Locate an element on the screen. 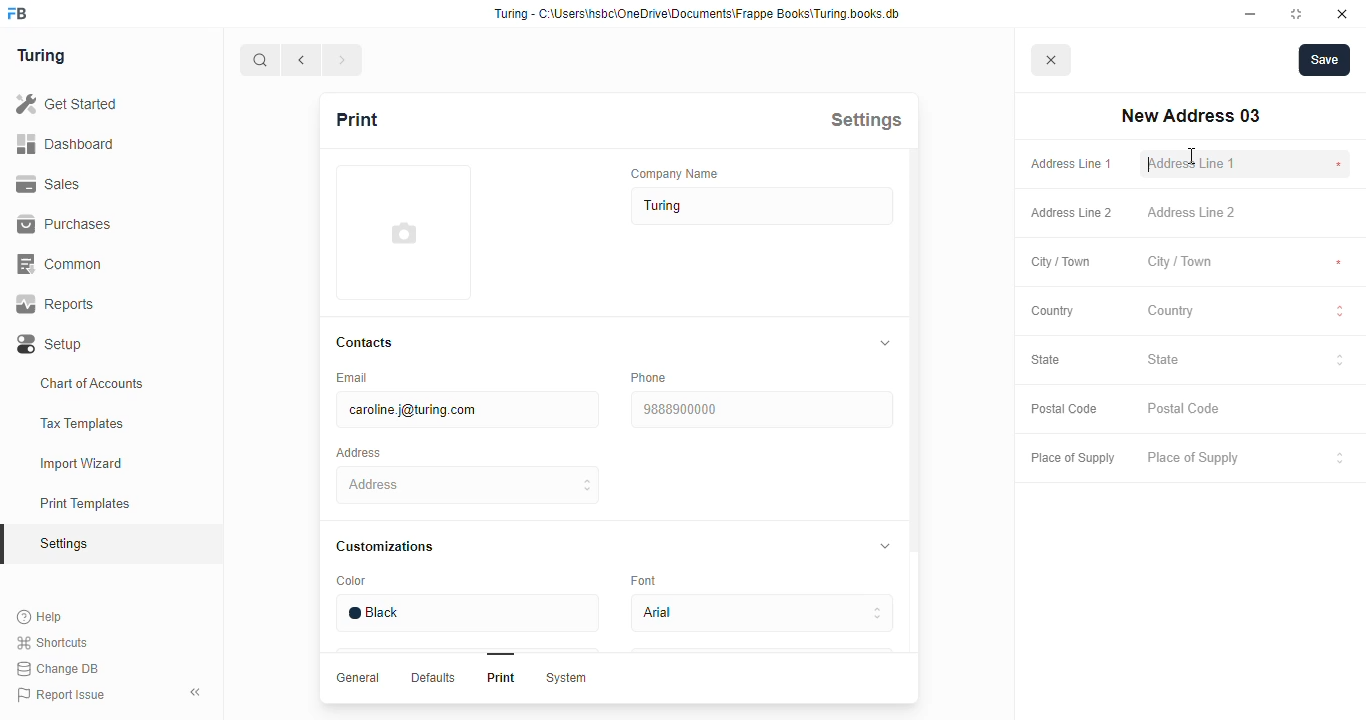 The width and height of the screenshot is (1366, 720). setup is located at coordinates (51, 345).